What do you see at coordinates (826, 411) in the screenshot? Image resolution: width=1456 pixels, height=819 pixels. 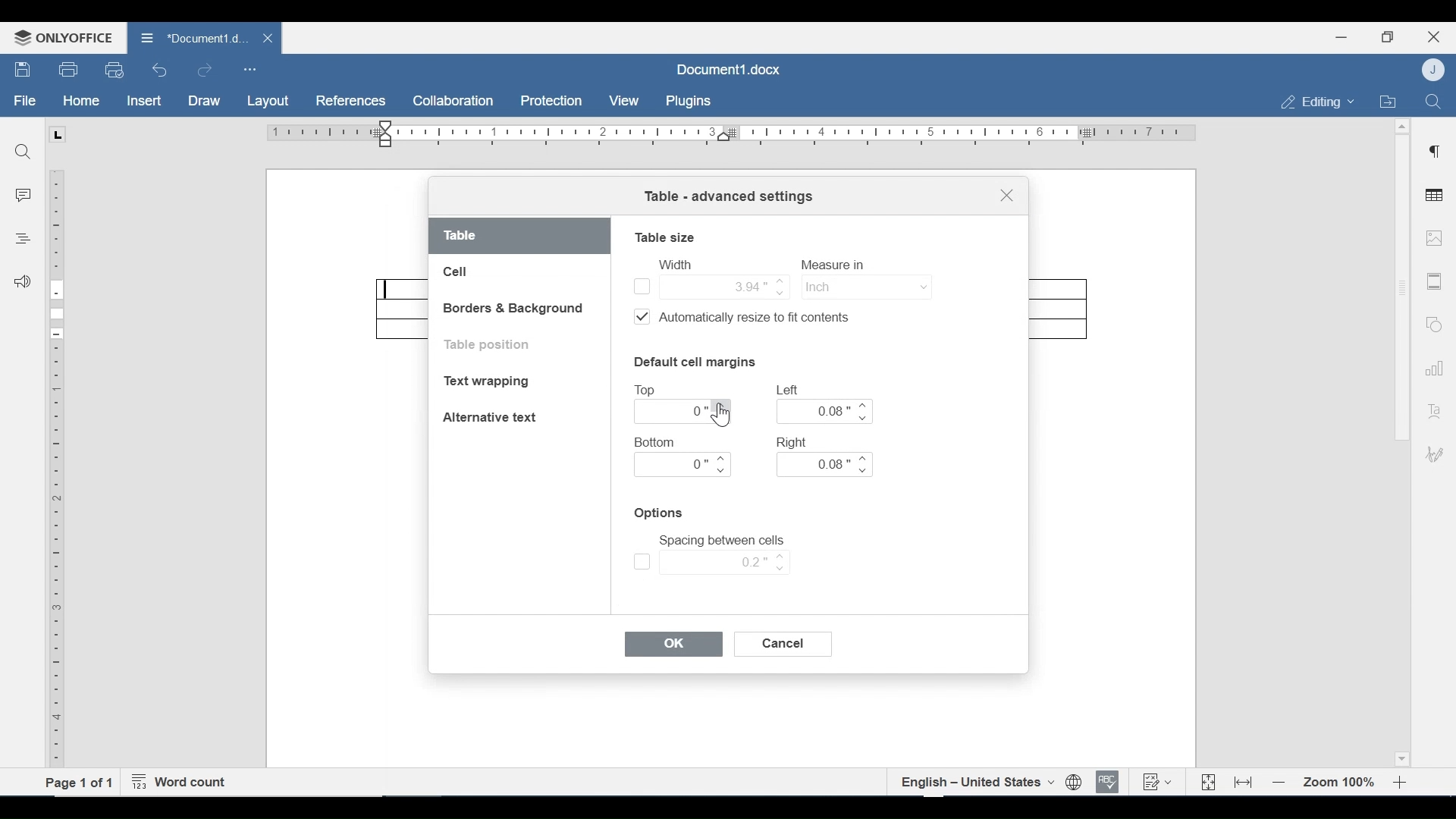 I see `0.08` at bounding box center [826, 411].